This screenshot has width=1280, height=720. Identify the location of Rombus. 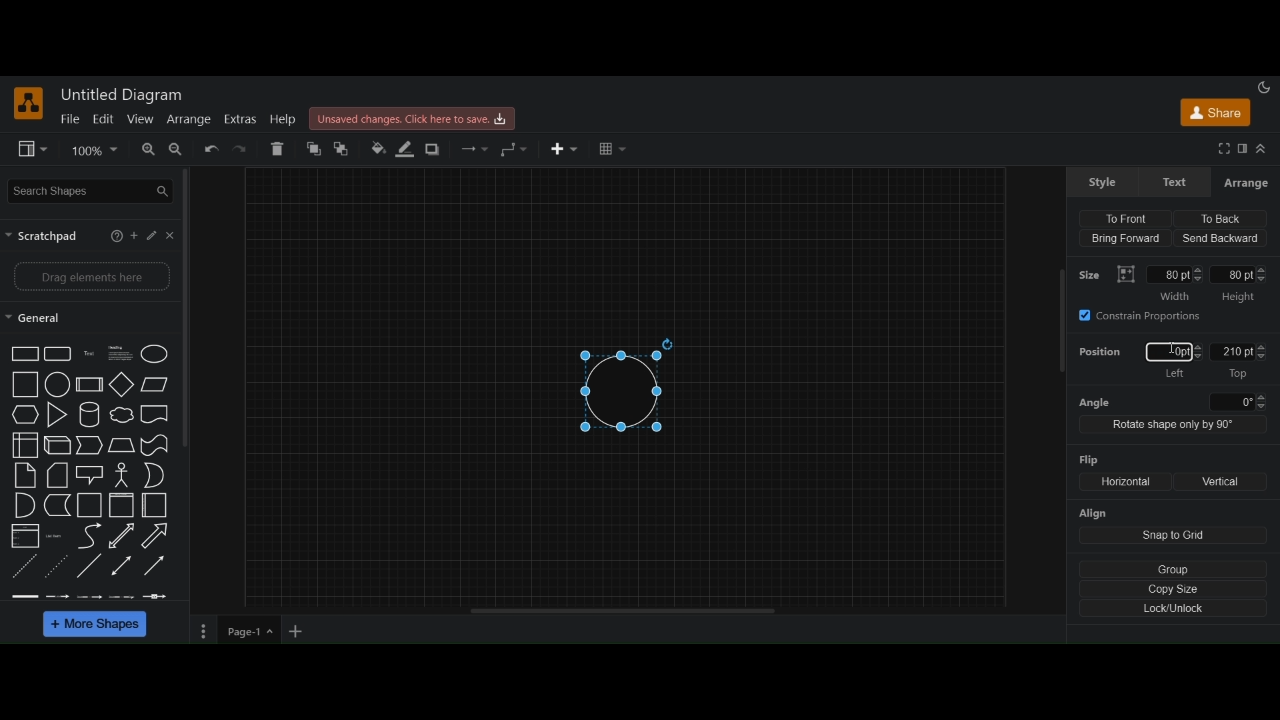
(122, 446).